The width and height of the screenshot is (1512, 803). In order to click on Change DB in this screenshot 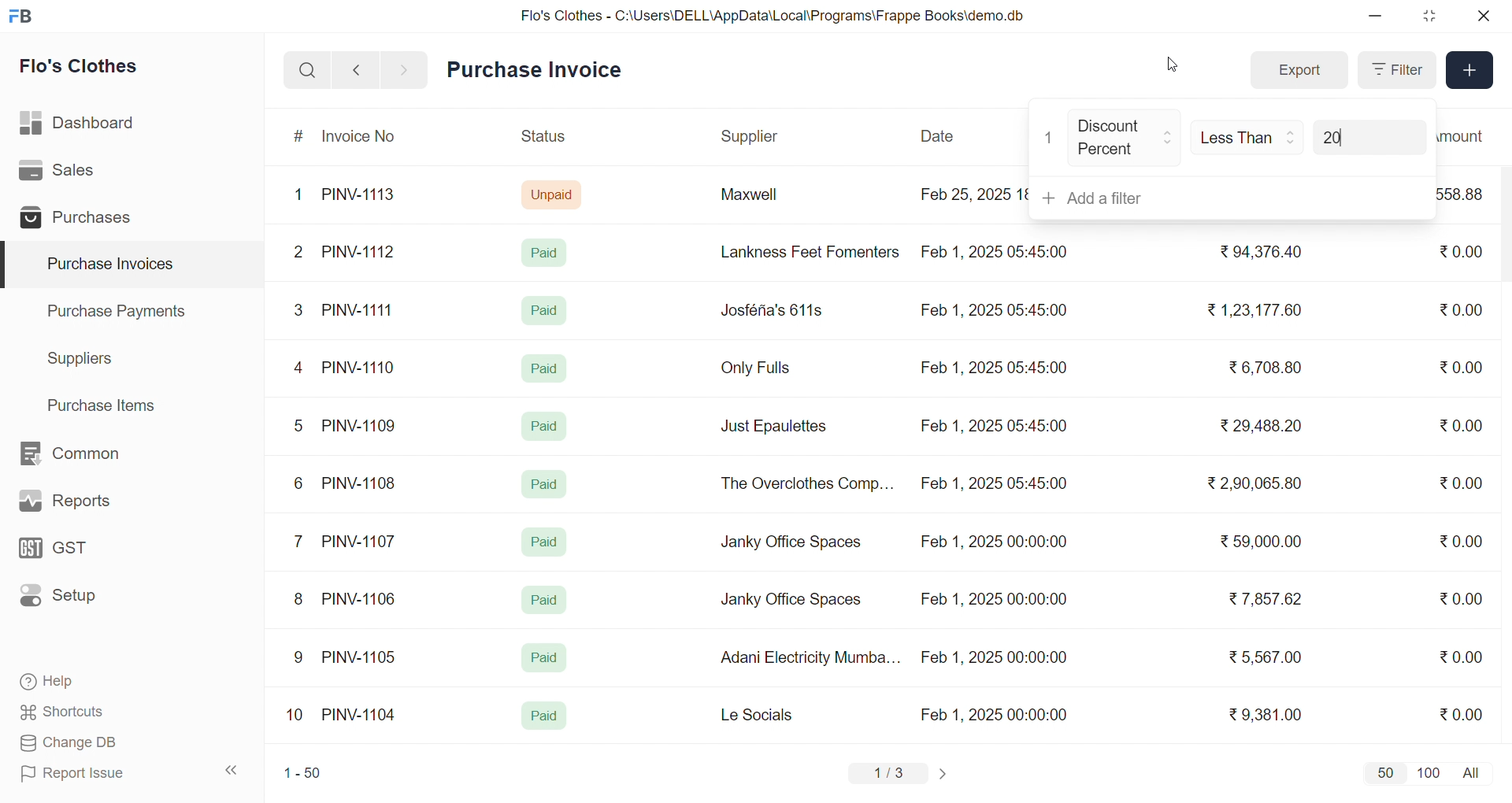, I will do `click(99, 743)`.